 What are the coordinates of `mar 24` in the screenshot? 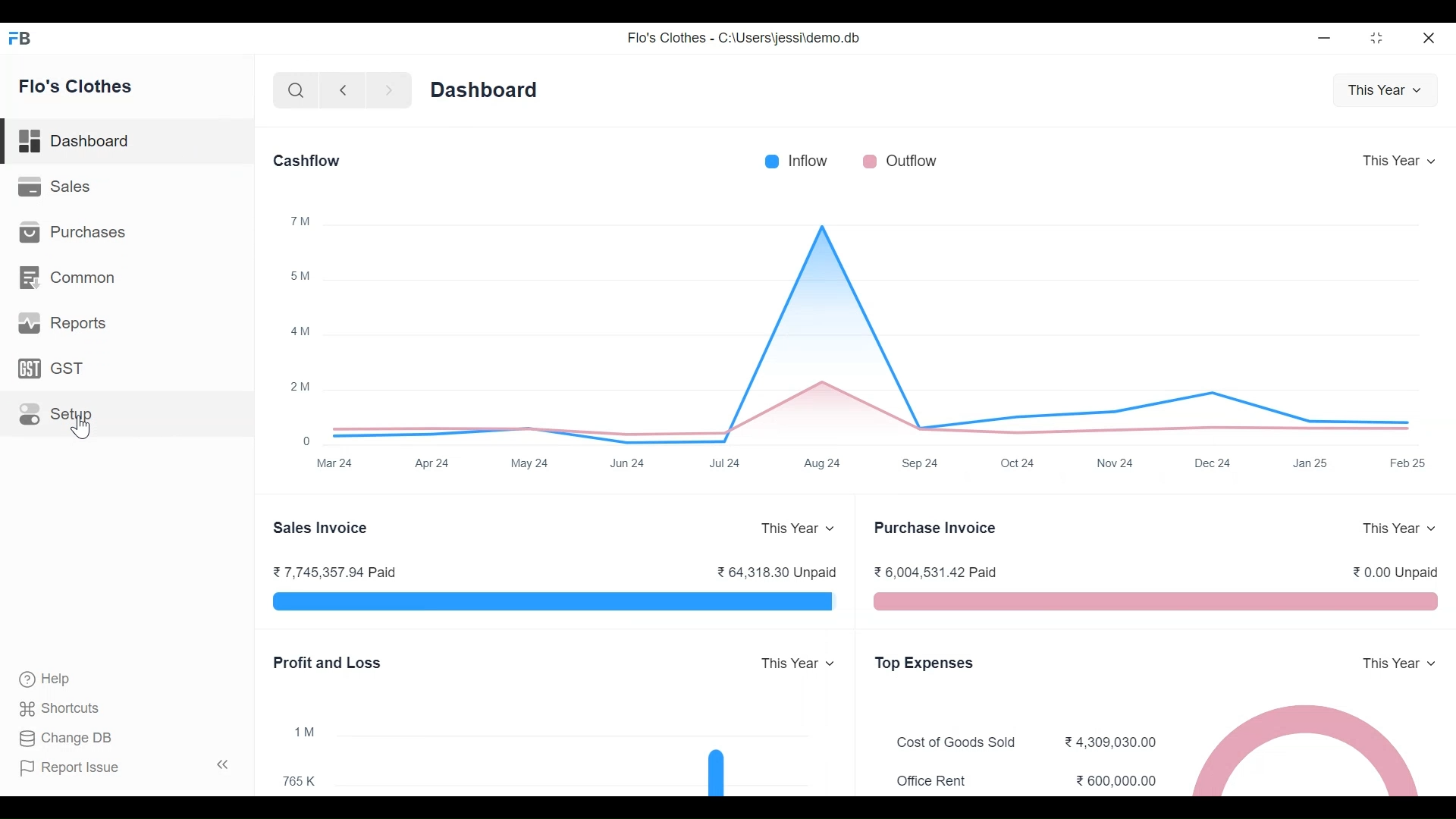 It's located at (336, 463).